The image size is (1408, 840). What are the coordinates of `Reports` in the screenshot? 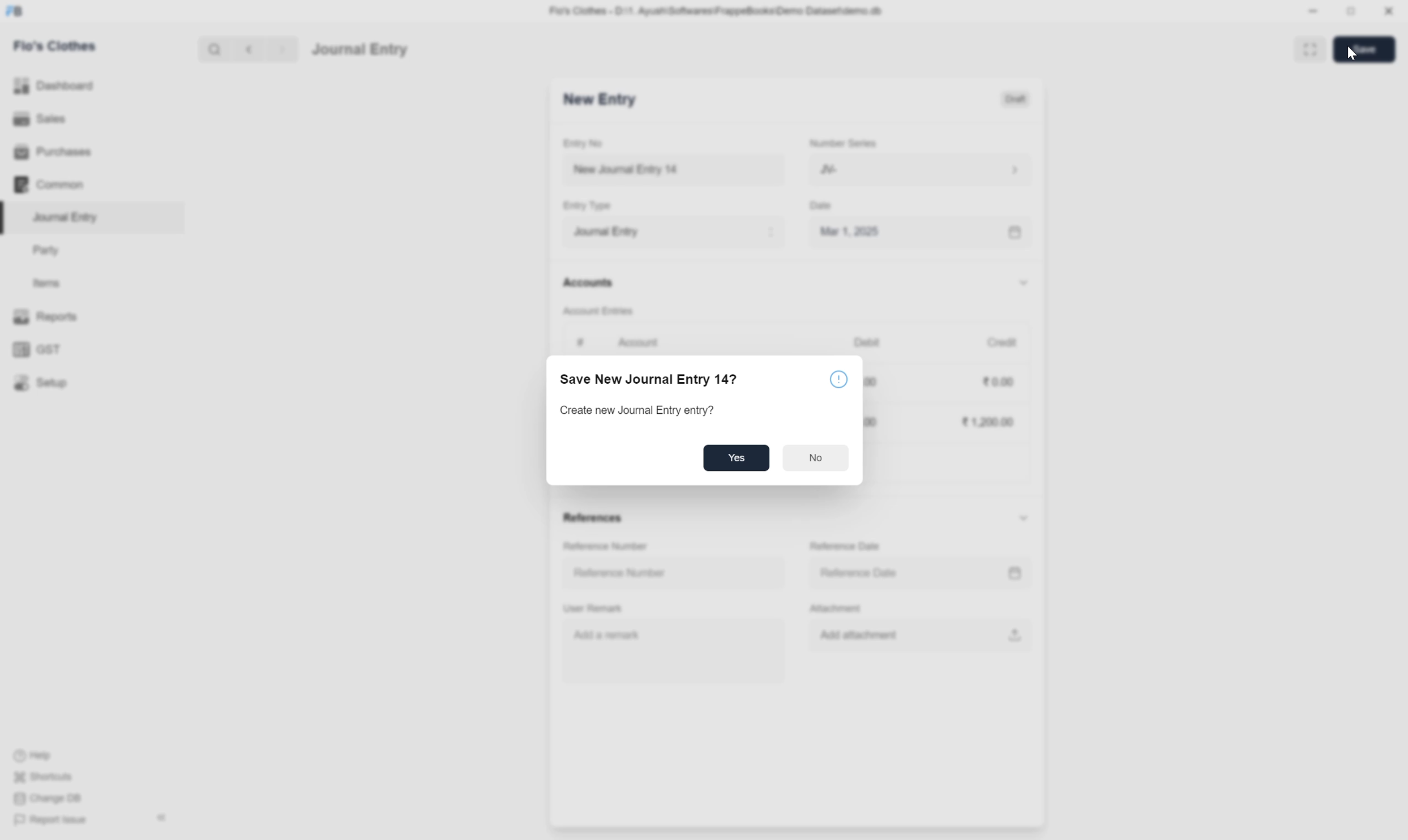 It's located at (49, 316).